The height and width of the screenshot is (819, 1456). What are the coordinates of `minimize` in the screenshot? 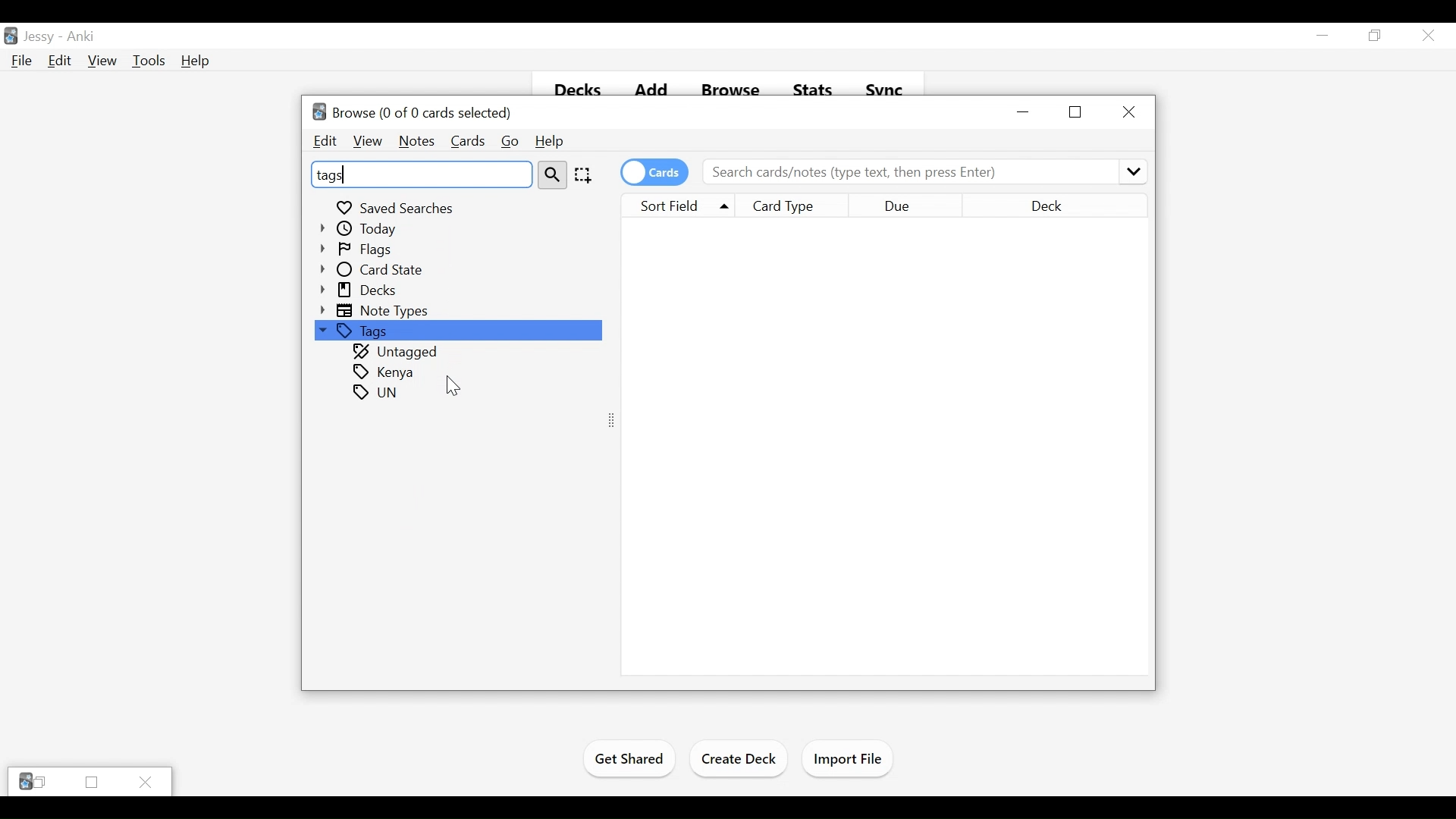 It's located at (1323, 35).